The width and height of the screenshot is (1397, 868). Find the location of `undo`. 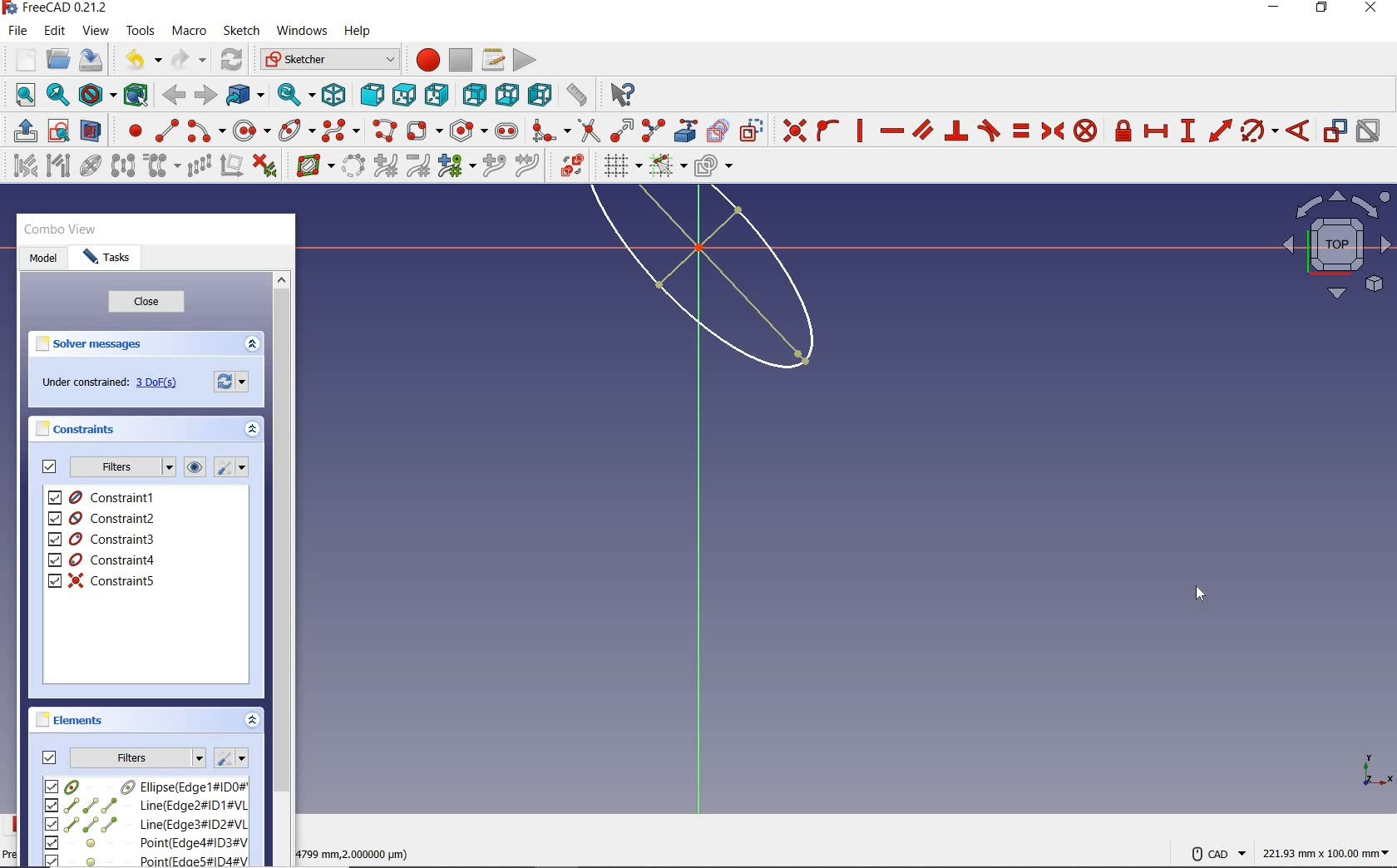

undo is located at coordinates (139, 60).